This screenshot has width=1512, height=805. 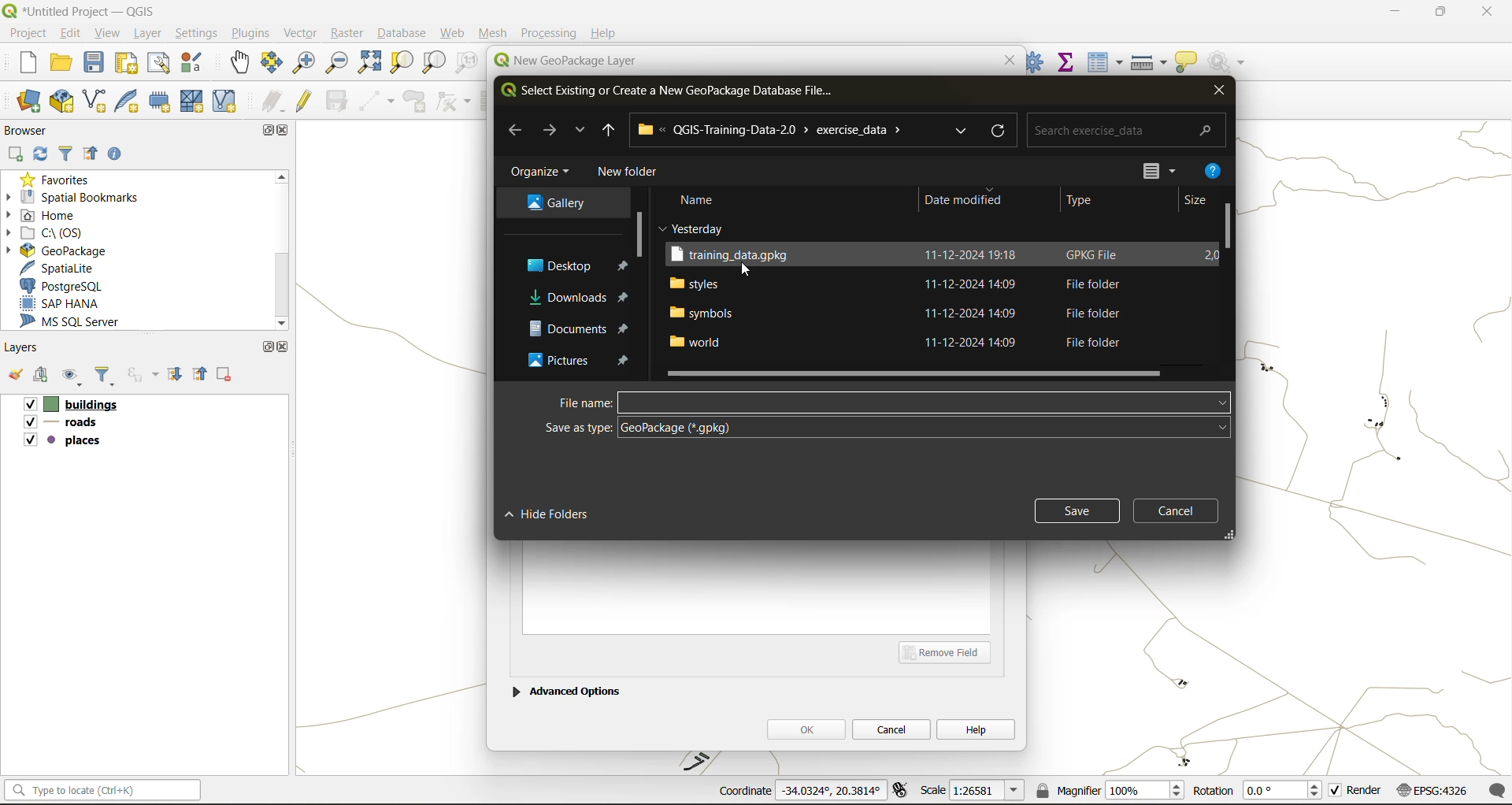 What do you see at coordinates (1205, 199) in the screenshot?
I see `size` at bounding box center [1205, 199].